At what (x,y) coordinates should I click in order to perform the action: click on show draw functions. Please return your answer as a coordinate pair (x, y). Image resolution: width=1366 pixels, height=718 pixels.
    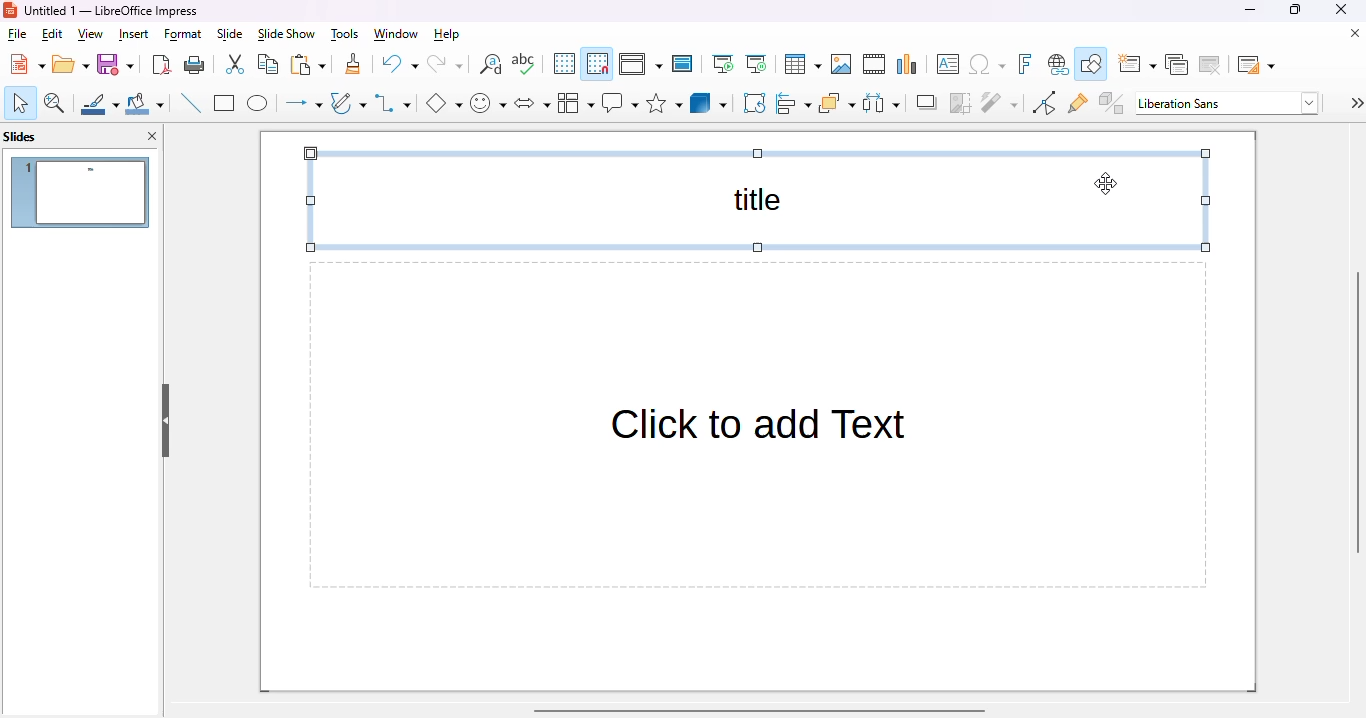
    Looking at the image, I should click on (1091, 63).